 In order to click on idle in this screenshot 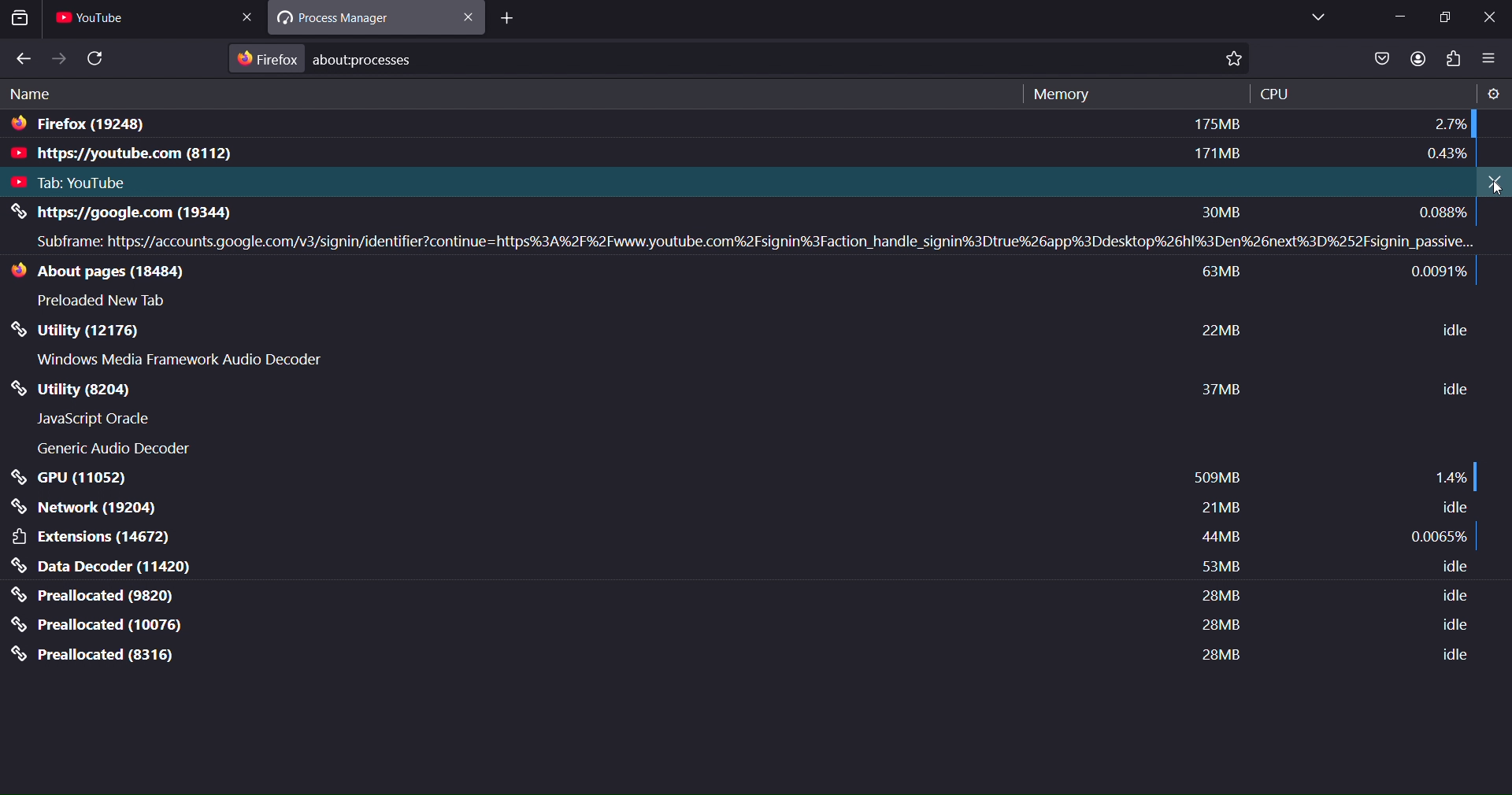, I will do `click(1456, 506)`.